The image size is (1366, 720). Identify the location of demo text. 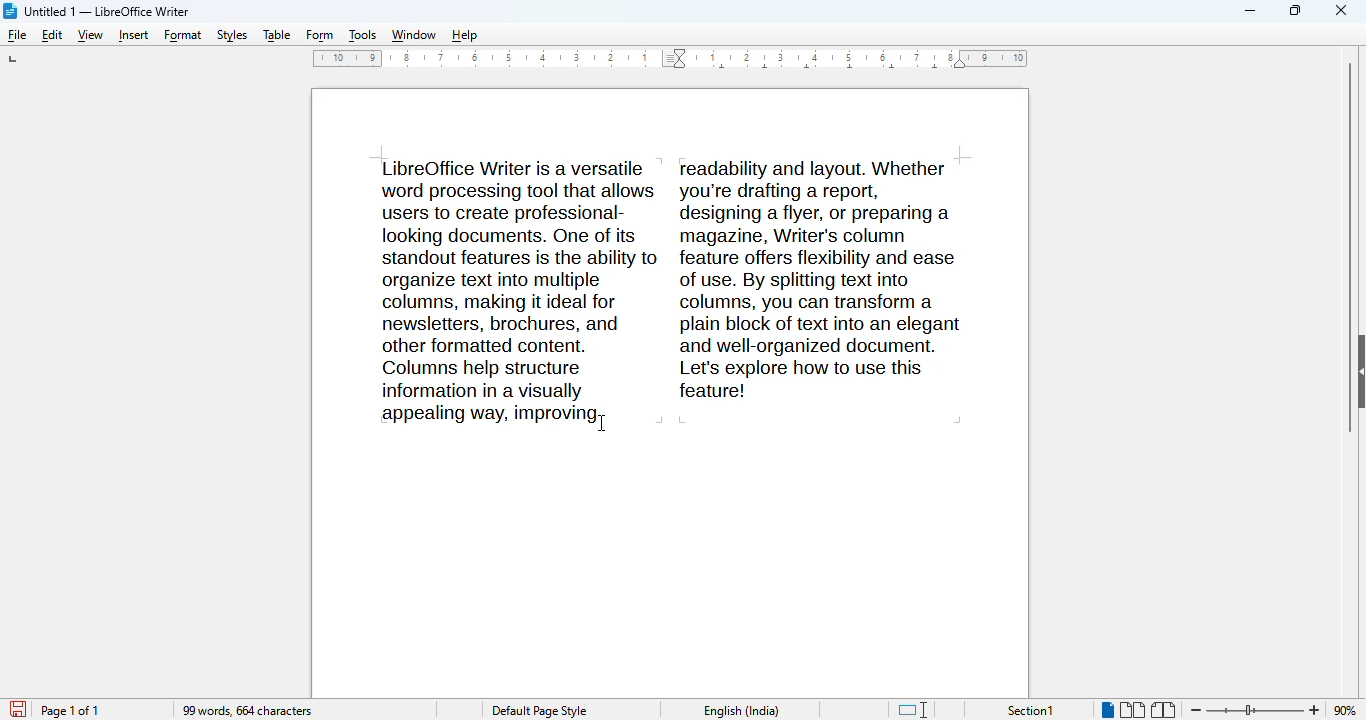
(674, 291).